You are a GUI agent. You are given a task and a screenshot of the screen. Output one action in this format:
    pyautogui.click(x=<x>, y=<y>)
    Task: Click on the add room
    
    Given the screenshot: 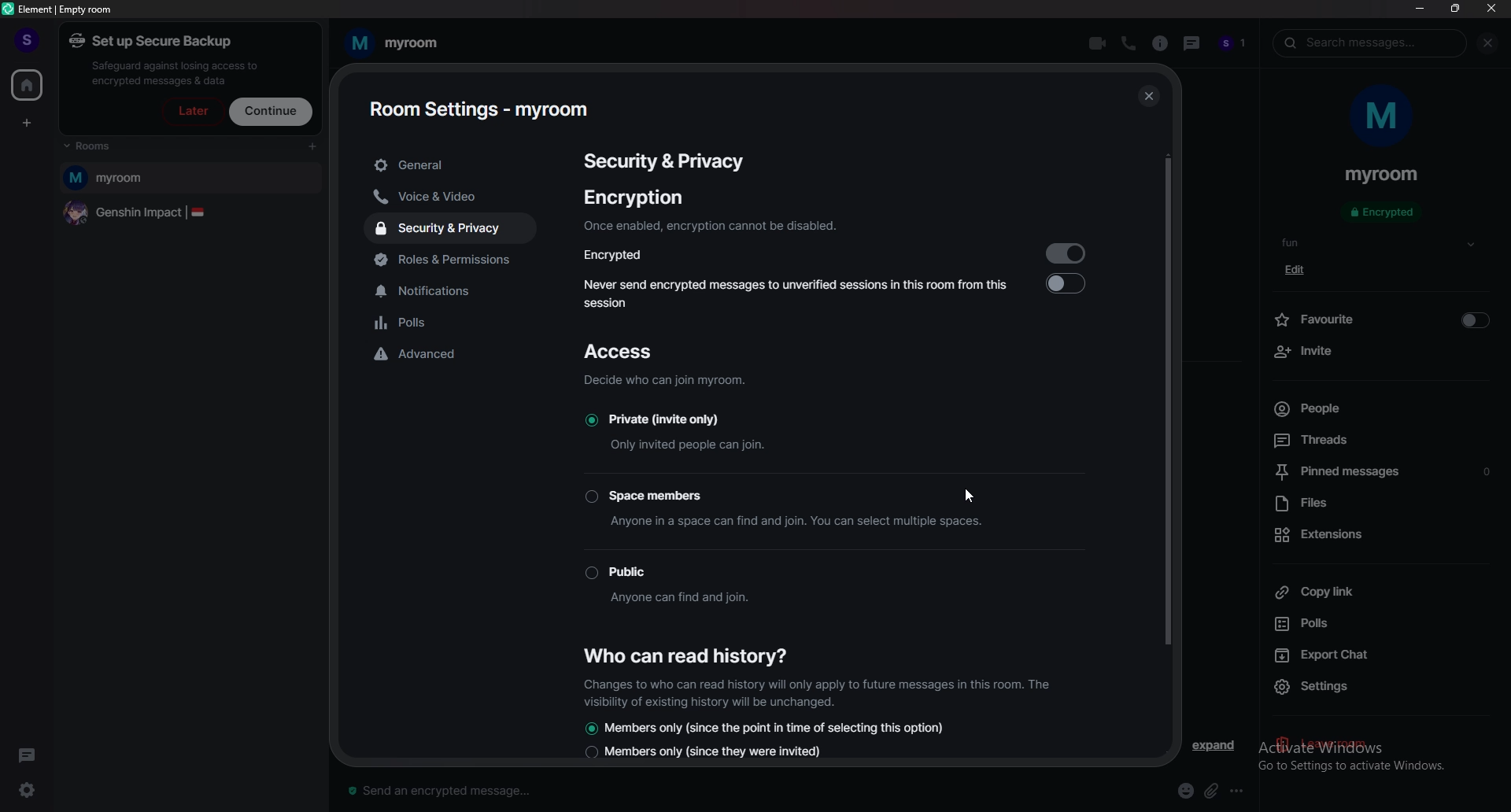 What is the action you would take?
    pyautogui.click(x=312, y=147)
    